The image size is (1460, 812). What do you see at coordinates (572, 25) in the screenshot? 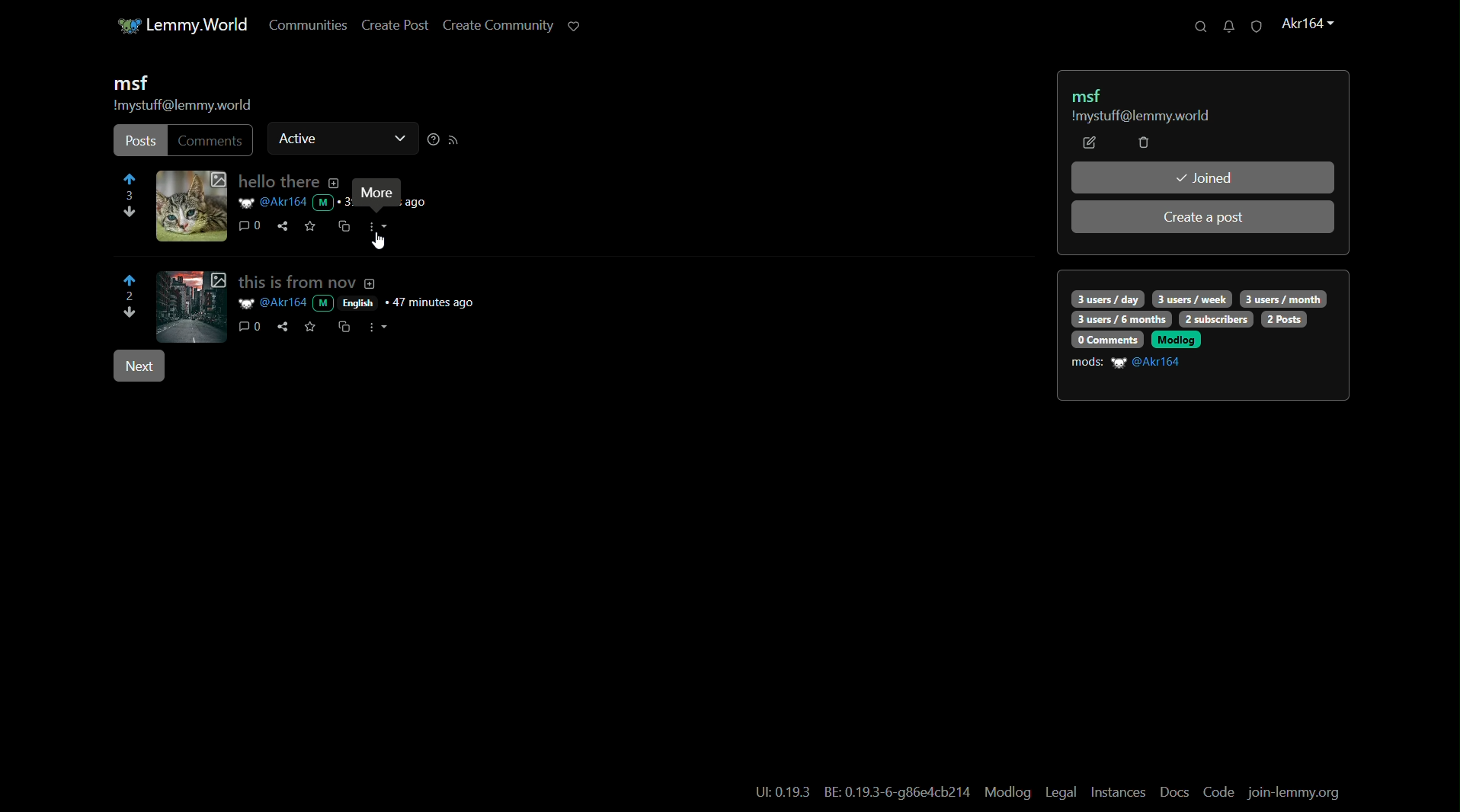
I see `support lemmy.world` at bounding box center [572, 25].